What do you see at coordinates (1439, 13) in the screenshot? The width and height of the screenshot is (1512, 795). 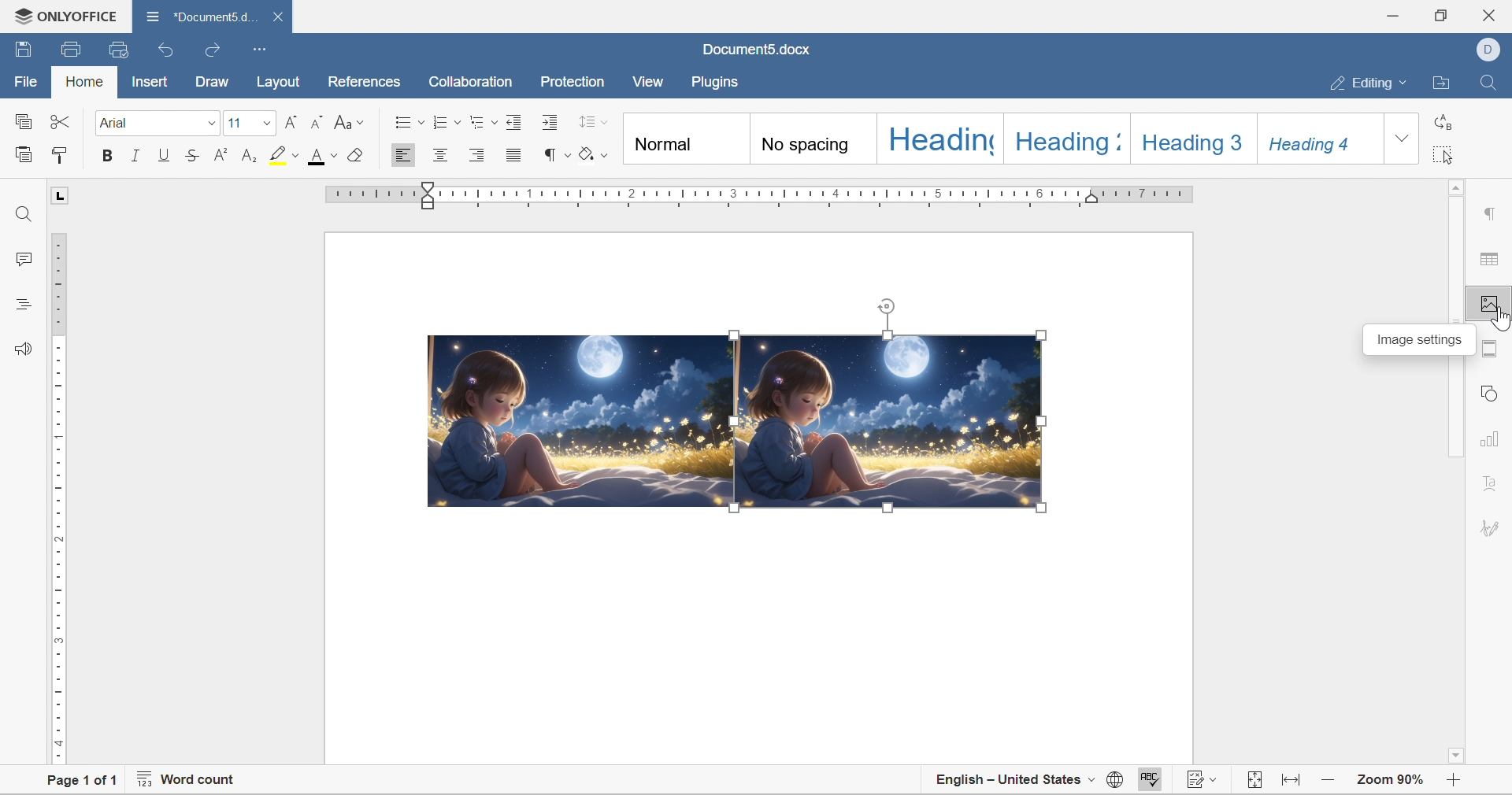 I see `restore down` at bounding box center [1439, 13].